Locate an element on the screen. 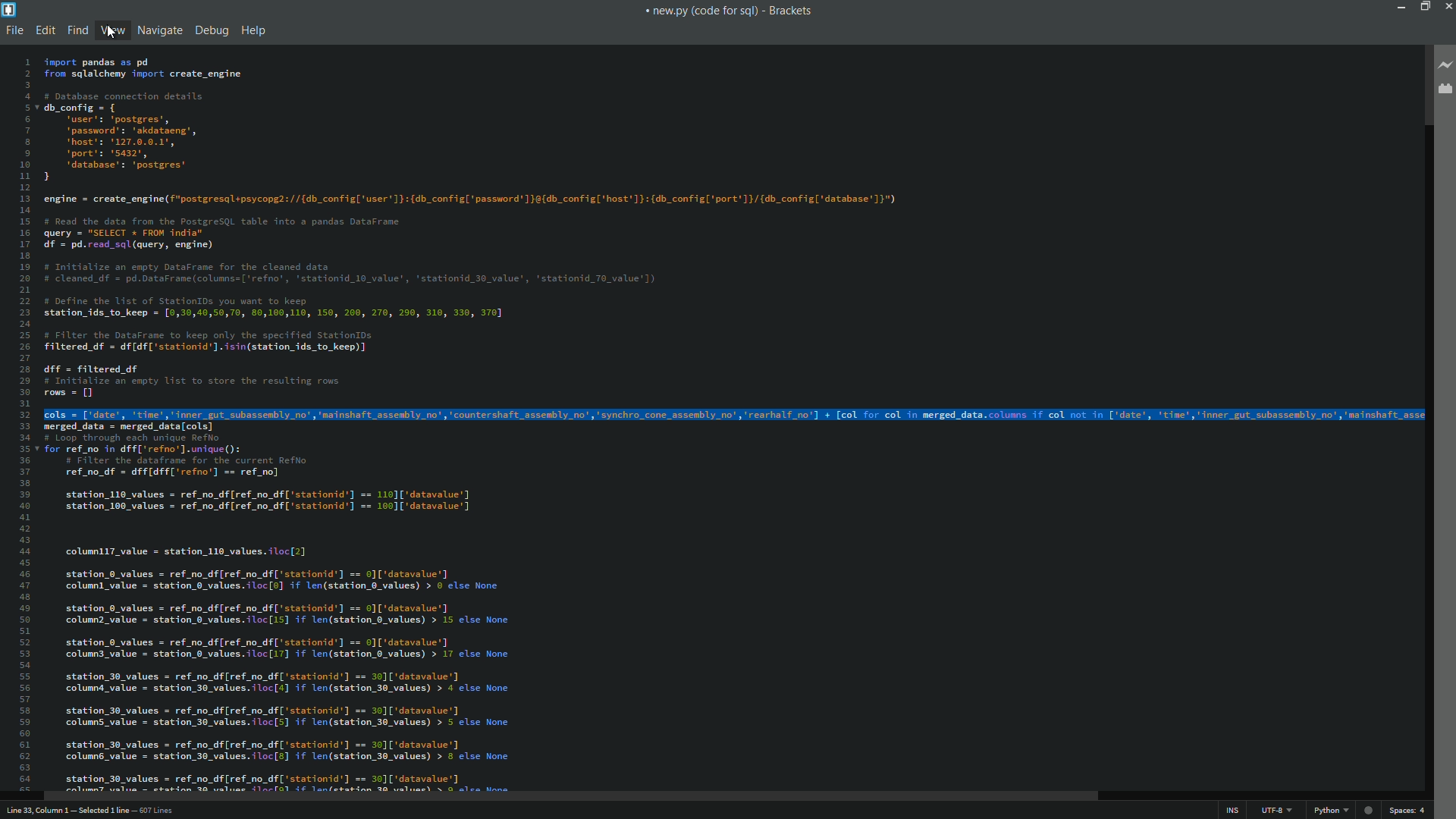 The image size is (1456, 819). web is located at coordinates (1369, 808).